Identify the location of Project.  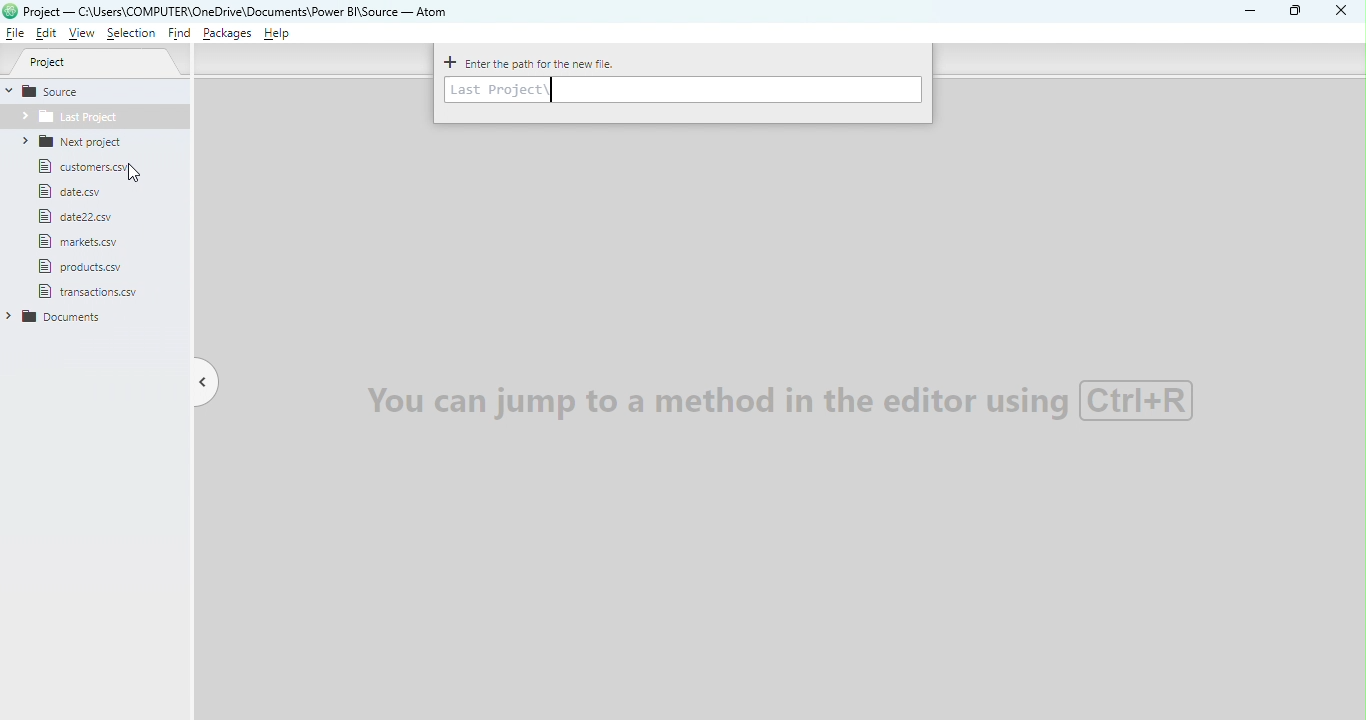
(94, 62).